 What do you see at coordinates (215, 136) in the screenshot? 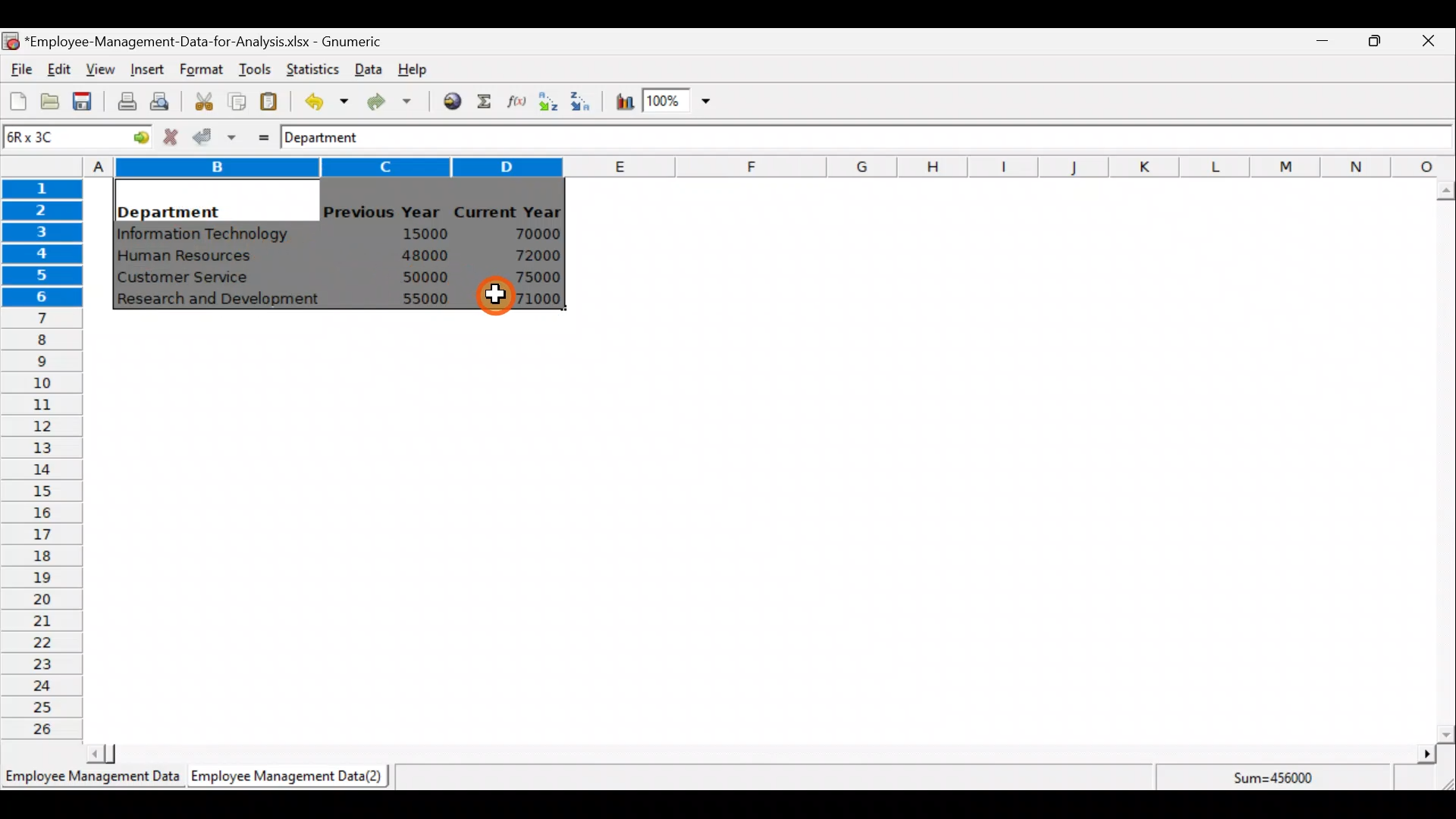
I see `Accept change` at bounding box center [215, 136].